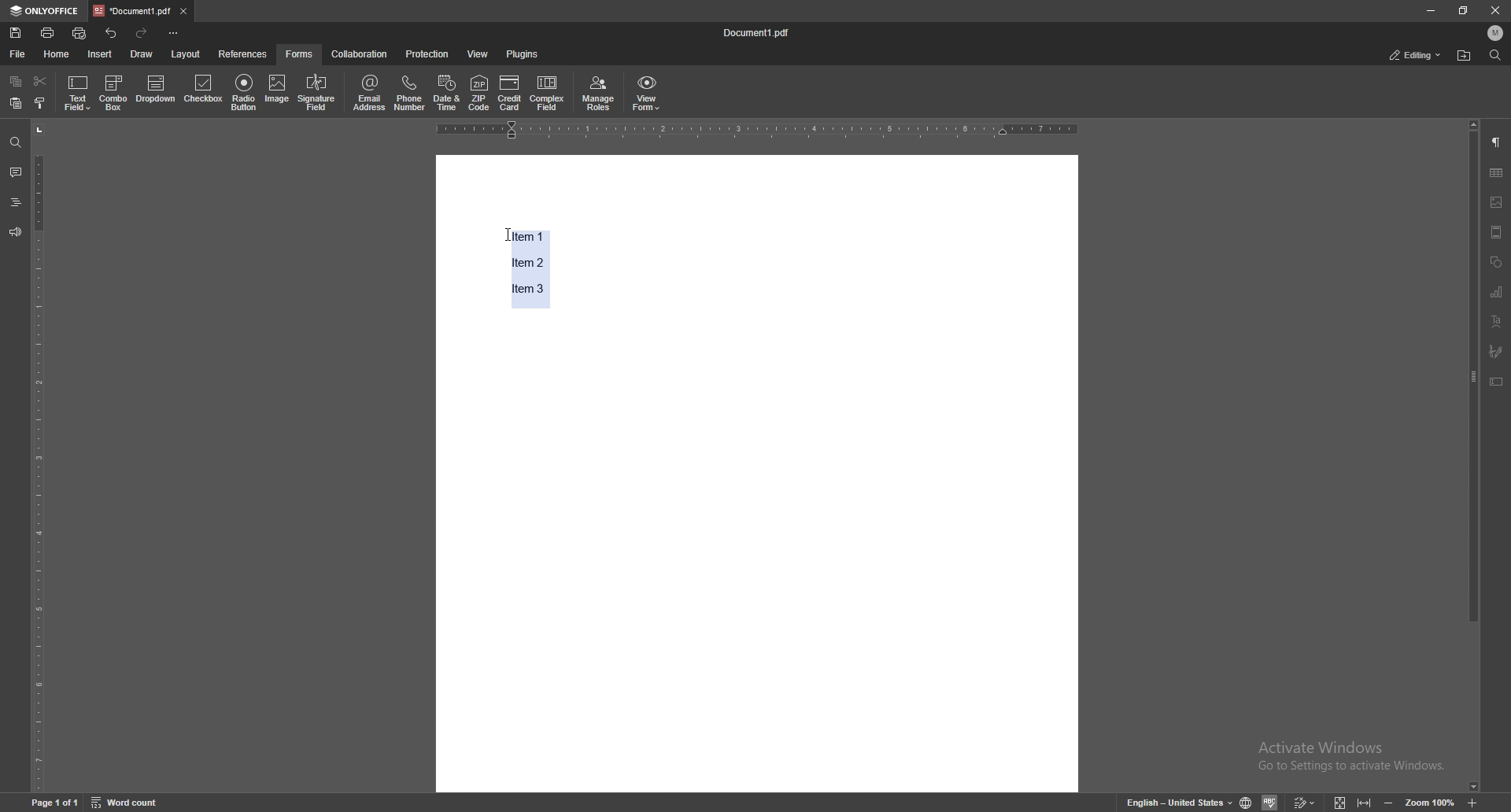 This screenshot has width=1511, height=812. Describe the element at coordinates (521, 265) in the screenshot. I see `list` at that location.